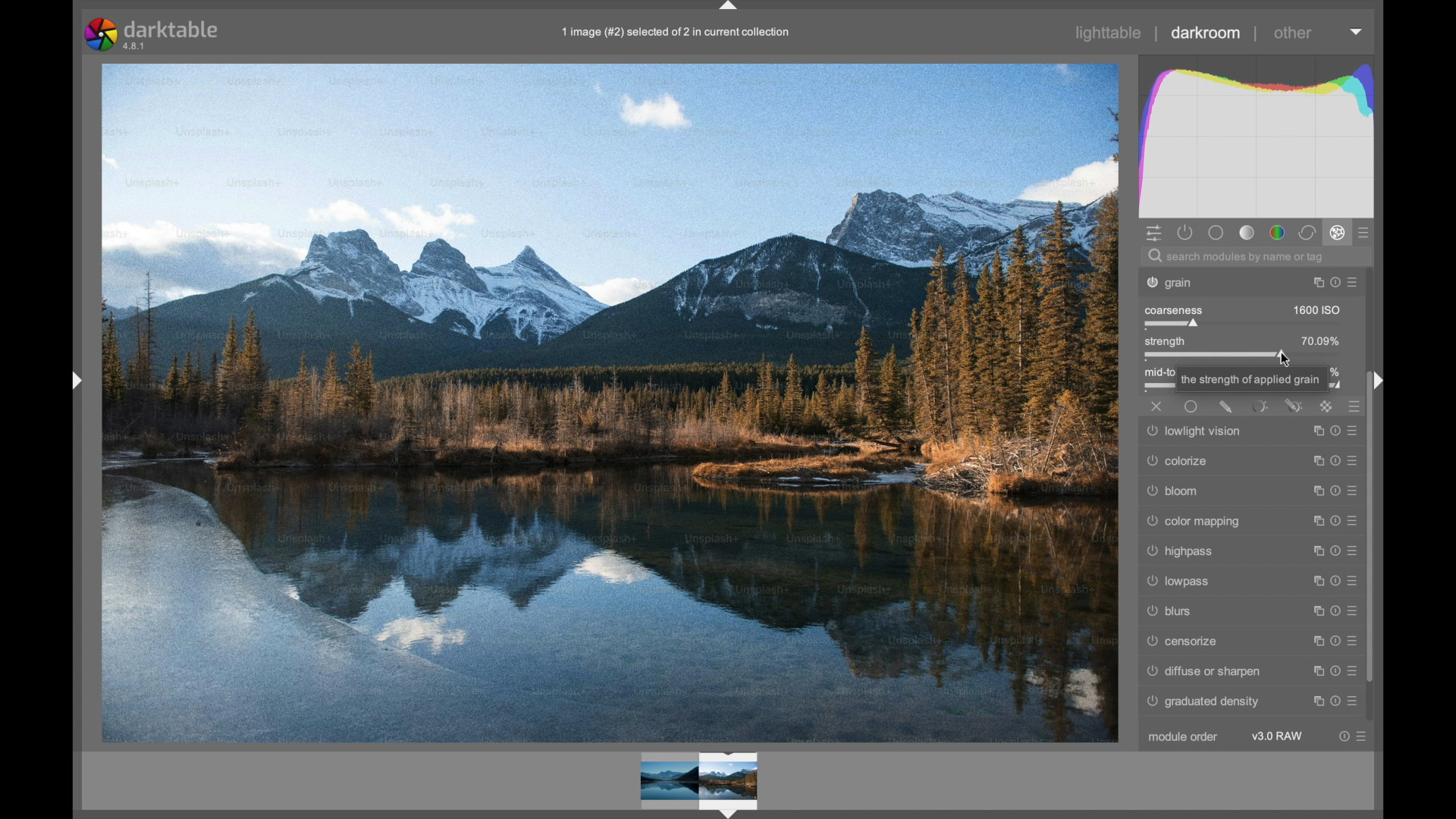  What do you see at coordinates (1338, 232) in the screenshot?
I see `effect` at bounding box center [1338, 232].